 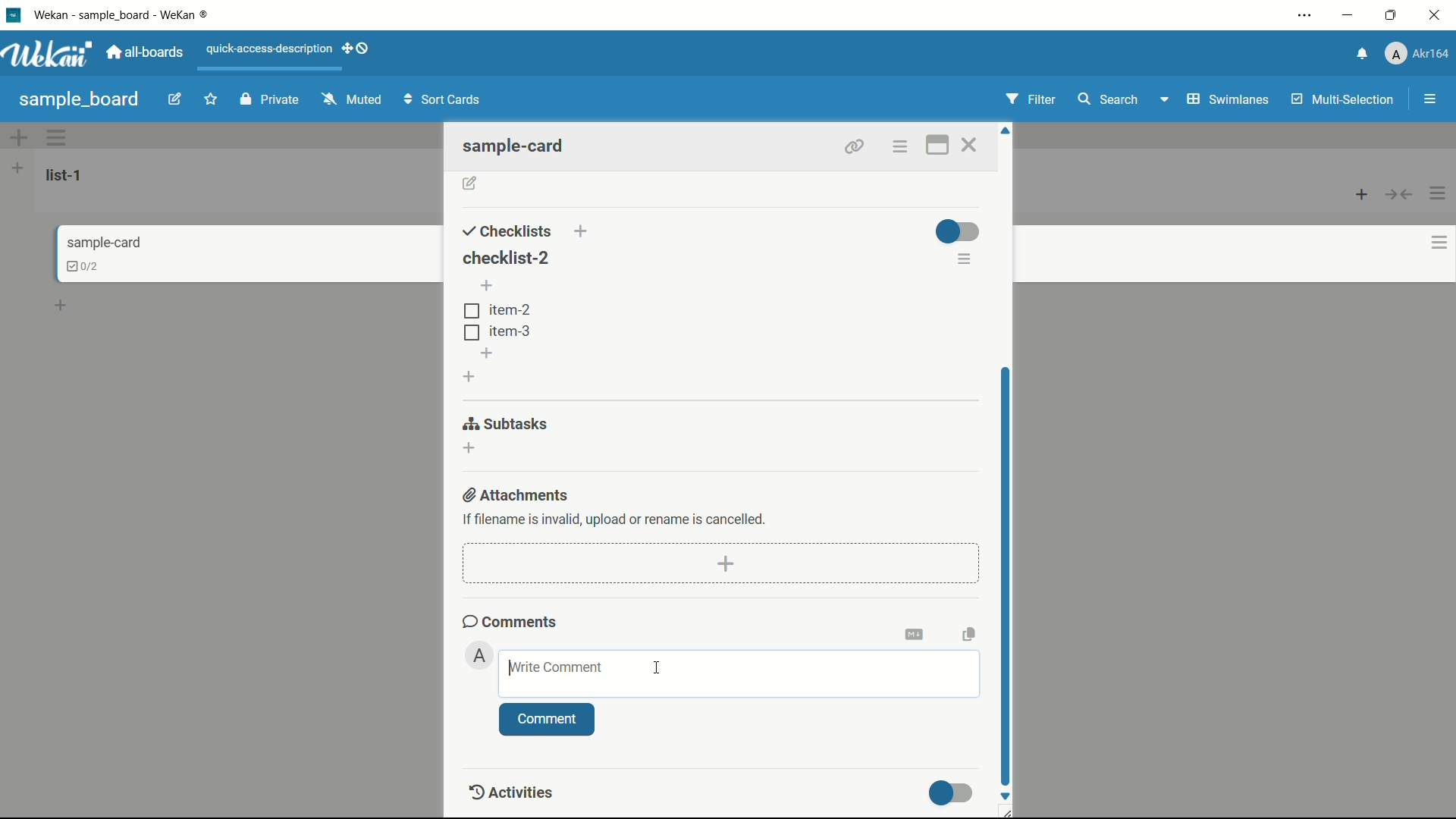 What do you see at coordinates (470, 448) in the screenshot?
I see `add subtasks` at bounding box center [470, 448].